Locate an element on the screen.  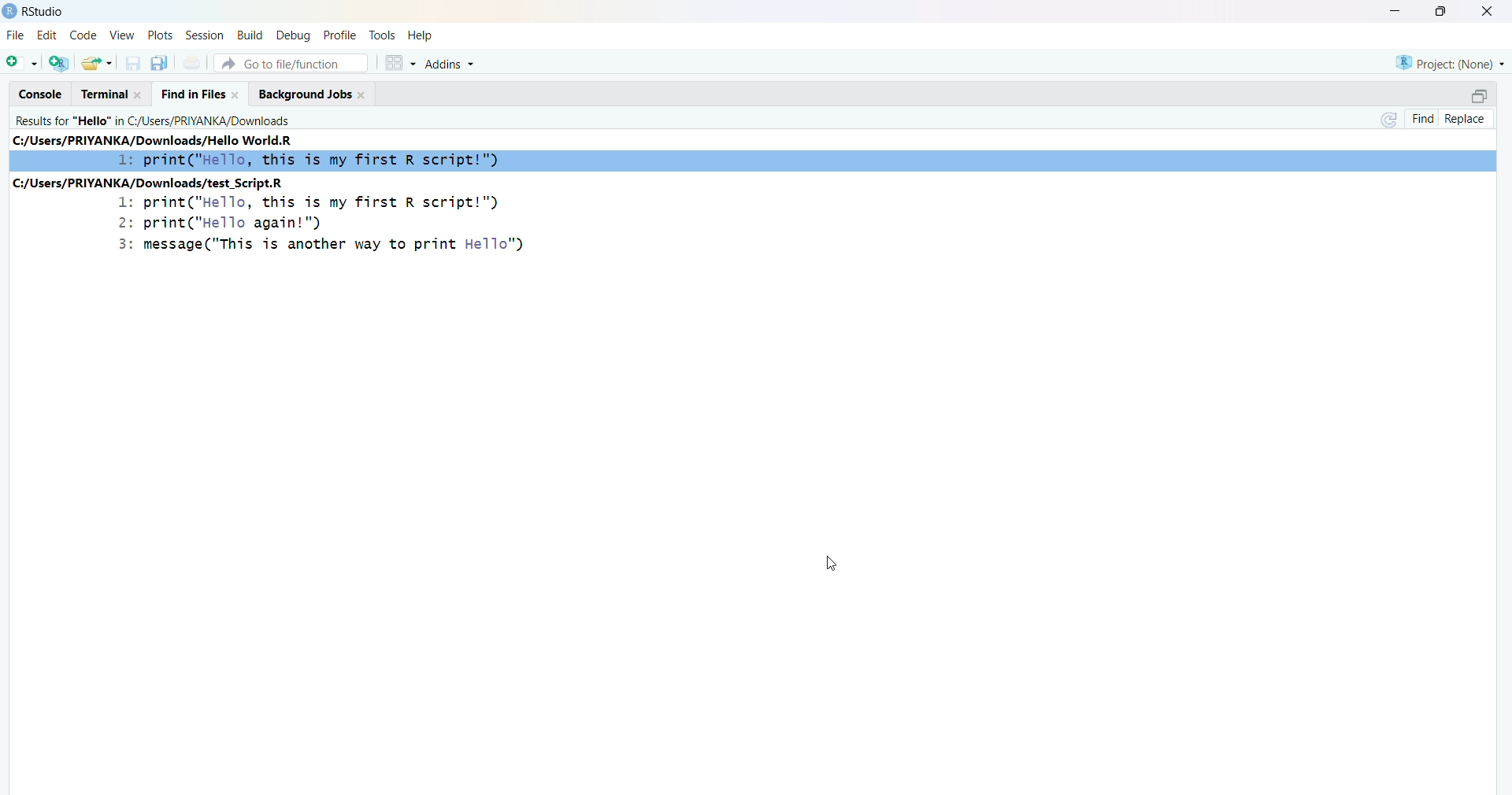
share is located at coordinates (98, 63).